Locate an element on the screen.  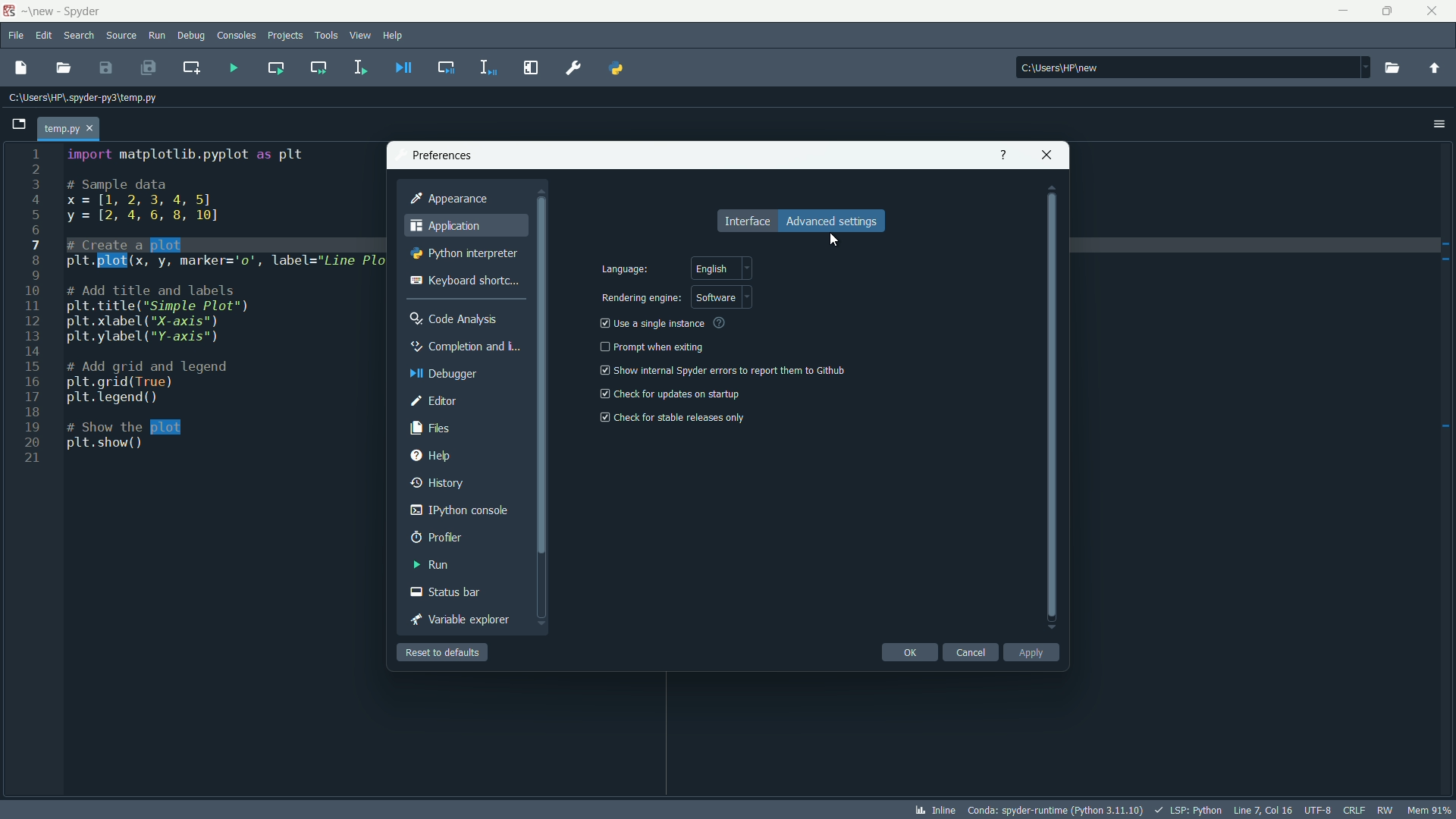
minimize is located at coordinates (1345, 11).